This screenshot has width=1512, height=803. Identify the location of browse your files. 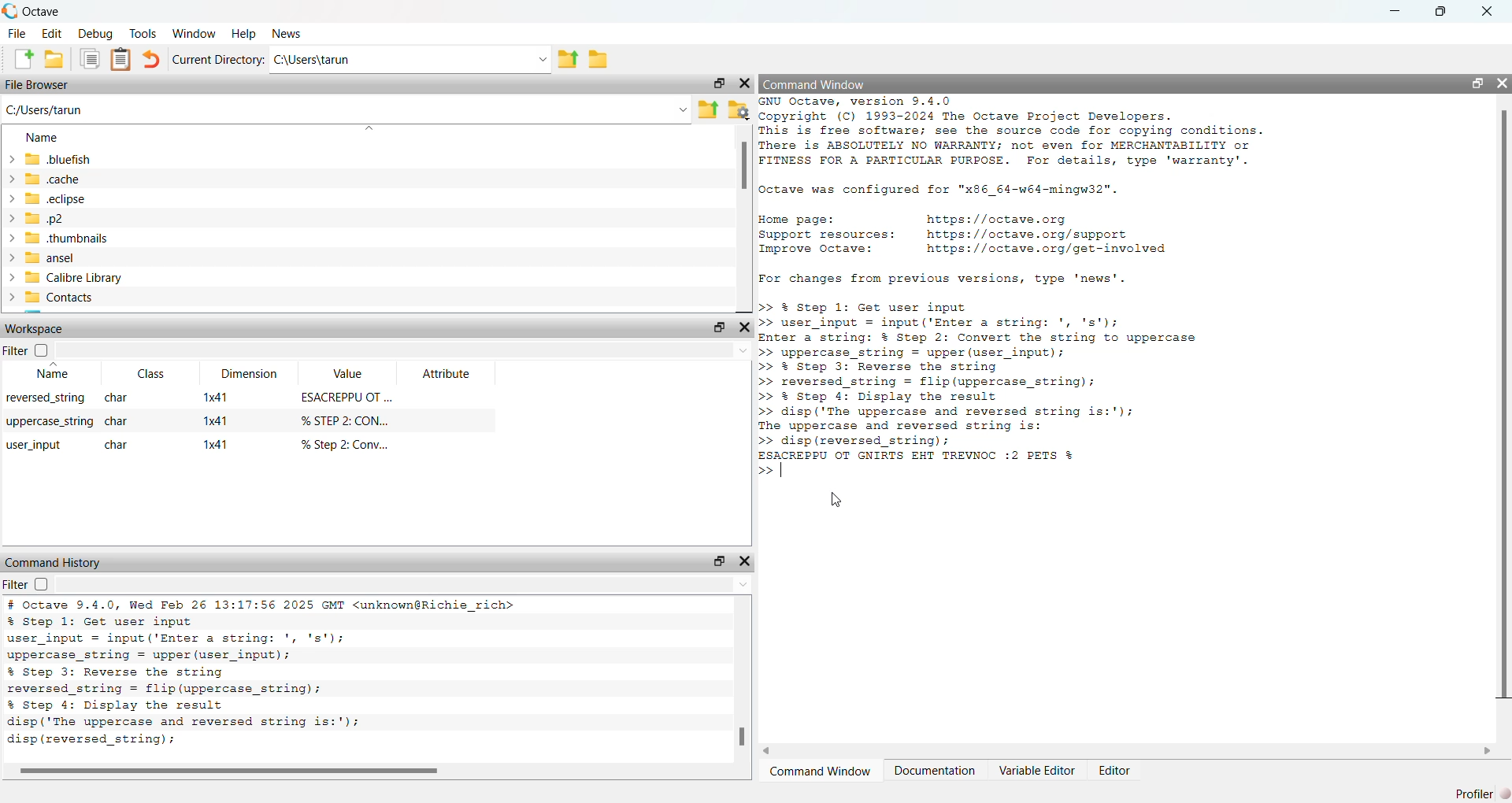
(739, 109).